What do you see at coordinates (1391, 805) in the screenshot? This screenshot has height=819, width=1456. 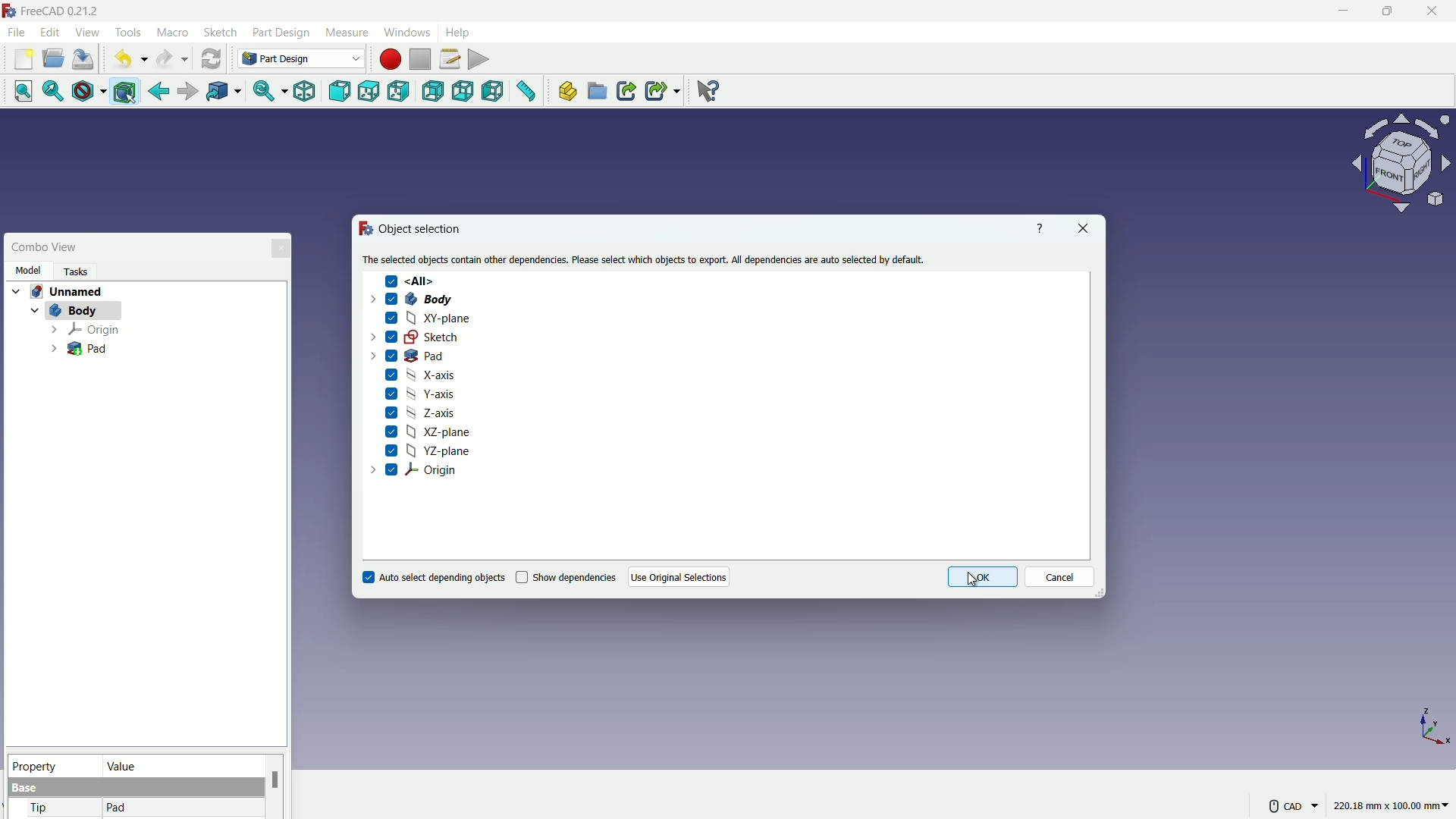 I see `220.18 mm x 100.00 mm~` at bounding box center [1391, 805].